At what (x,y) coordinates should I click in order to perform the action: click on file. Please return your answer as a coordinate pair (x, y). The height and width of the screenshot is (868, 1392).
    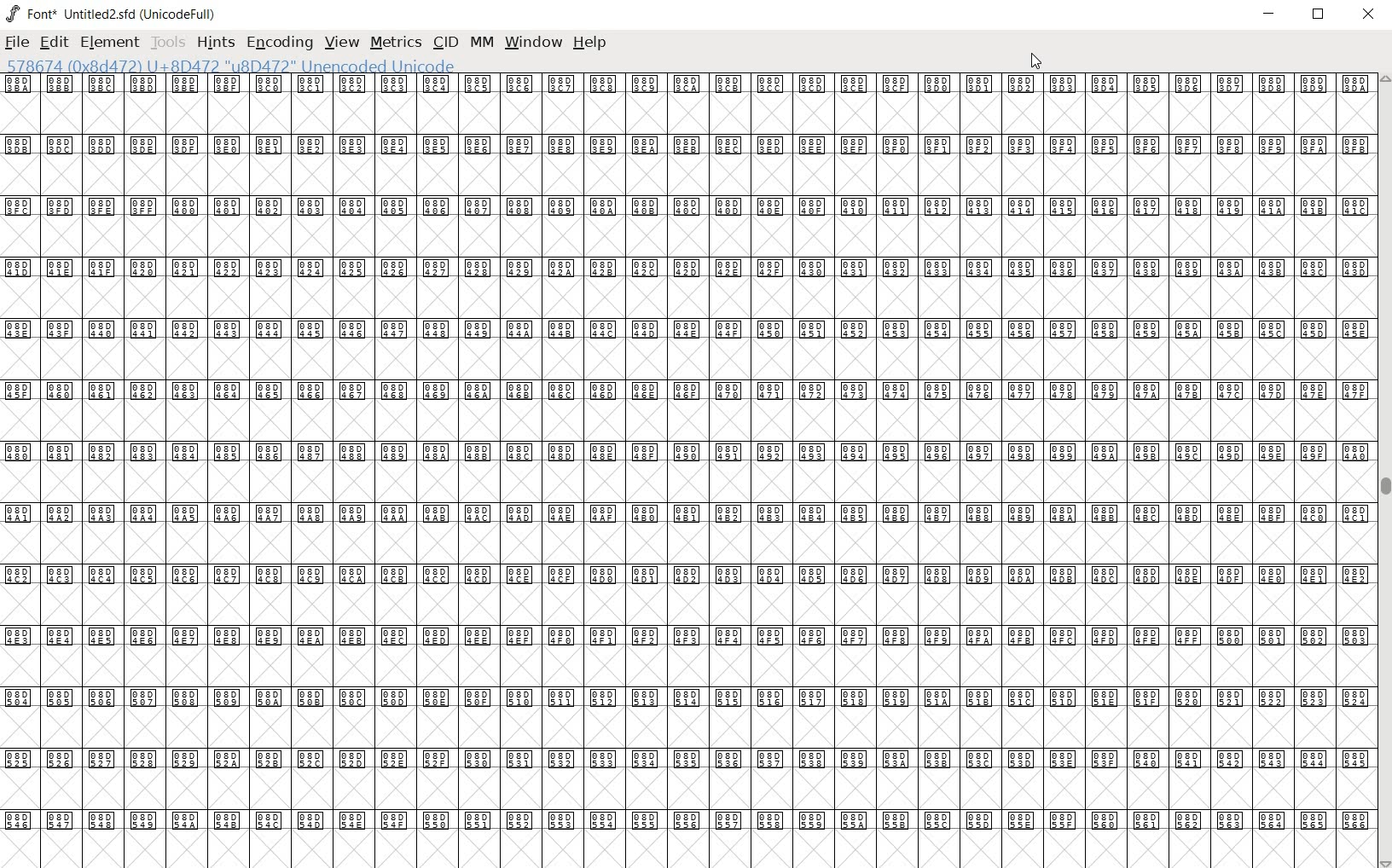
    Looking at the image, I should click on (18, 42).